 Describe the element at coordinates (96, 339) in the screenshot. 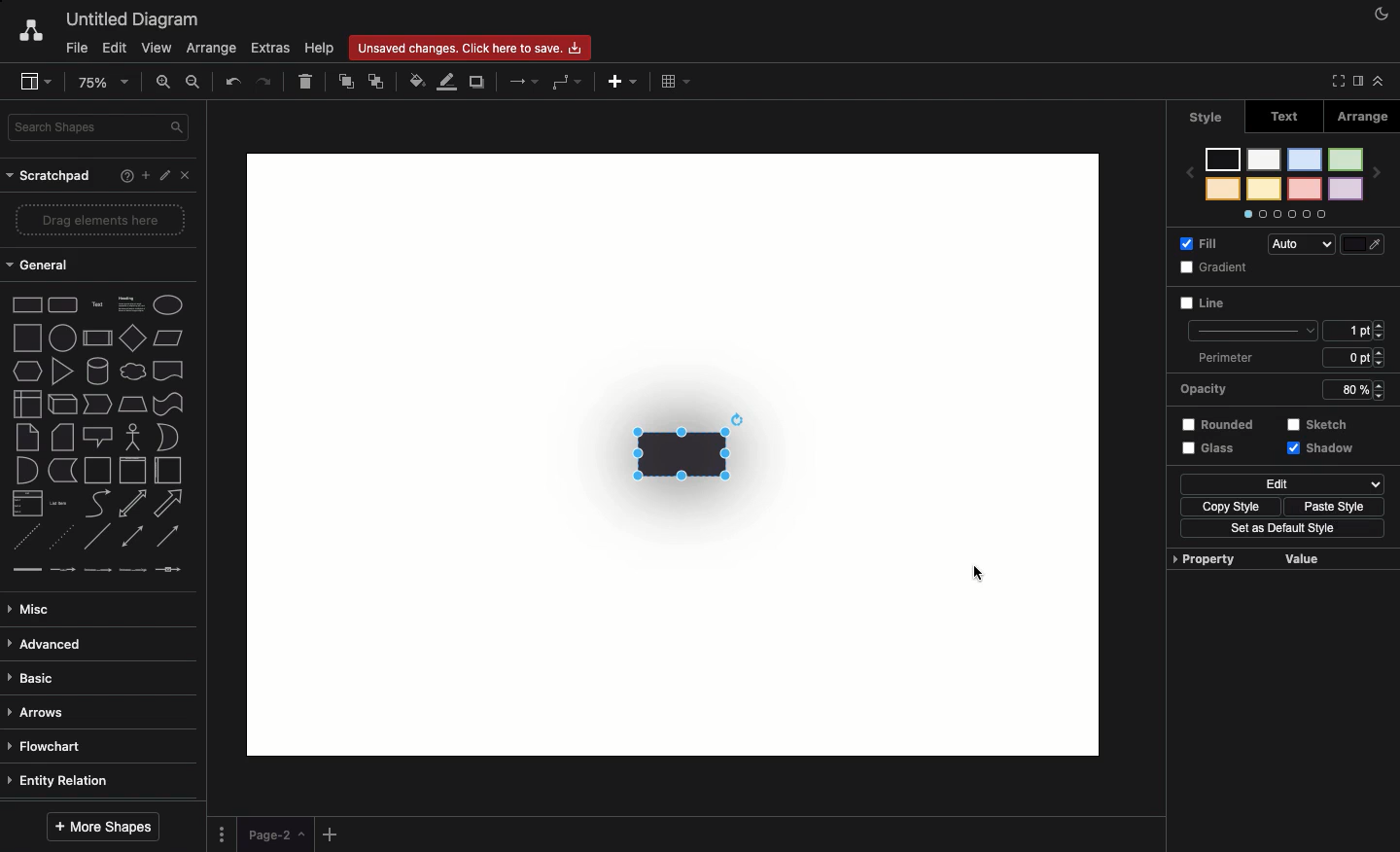

I see `process` at that location.